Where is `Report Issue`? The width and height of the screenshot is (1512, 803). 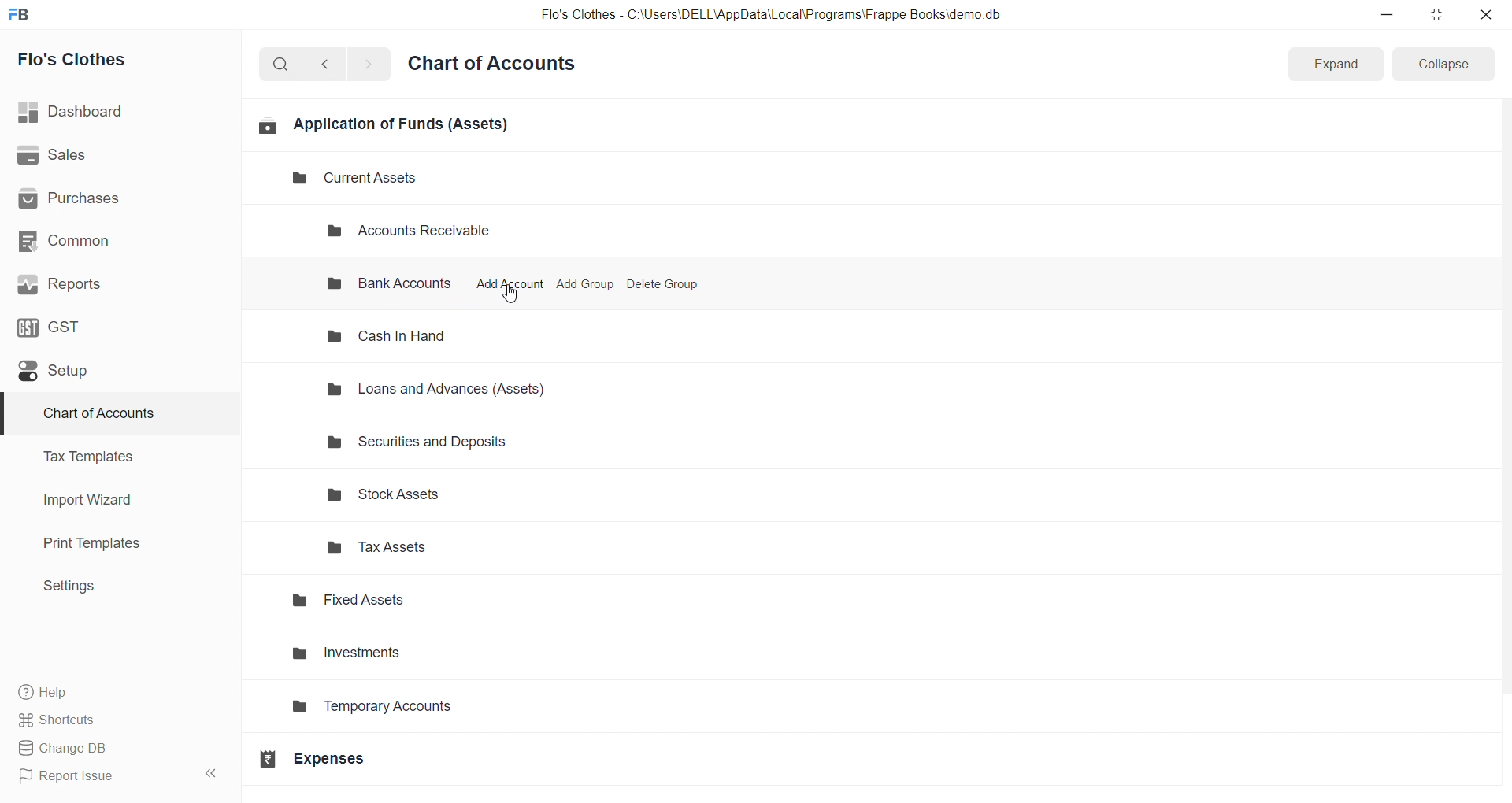
Report Issue is located at coordinates (98, 776).